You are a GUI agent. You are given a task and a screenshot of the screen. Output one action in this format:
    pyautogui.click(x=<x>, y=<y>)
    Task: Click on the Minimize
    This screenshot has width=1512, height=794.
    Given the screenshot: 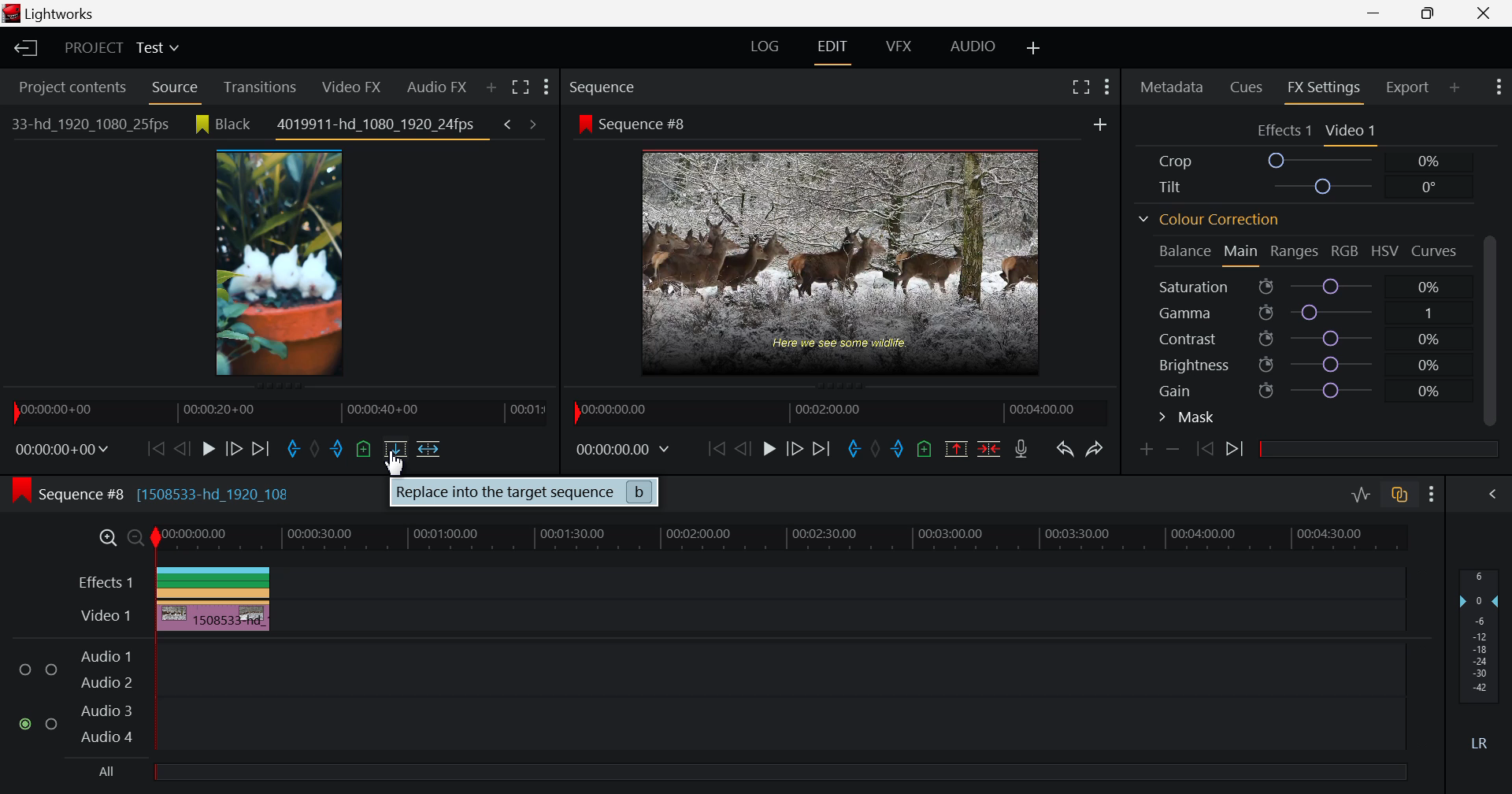 What is the action you would take?
    pyautogui.click(x=1429, y=13)
    